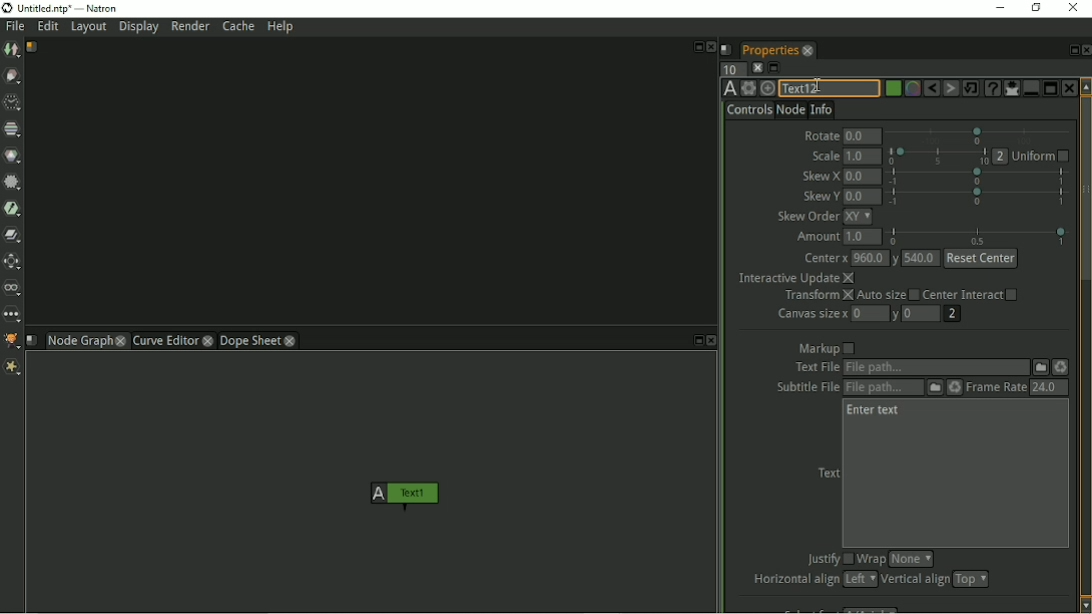 The image size is (1092, 614). I want to click on Close, so click(711, 47).